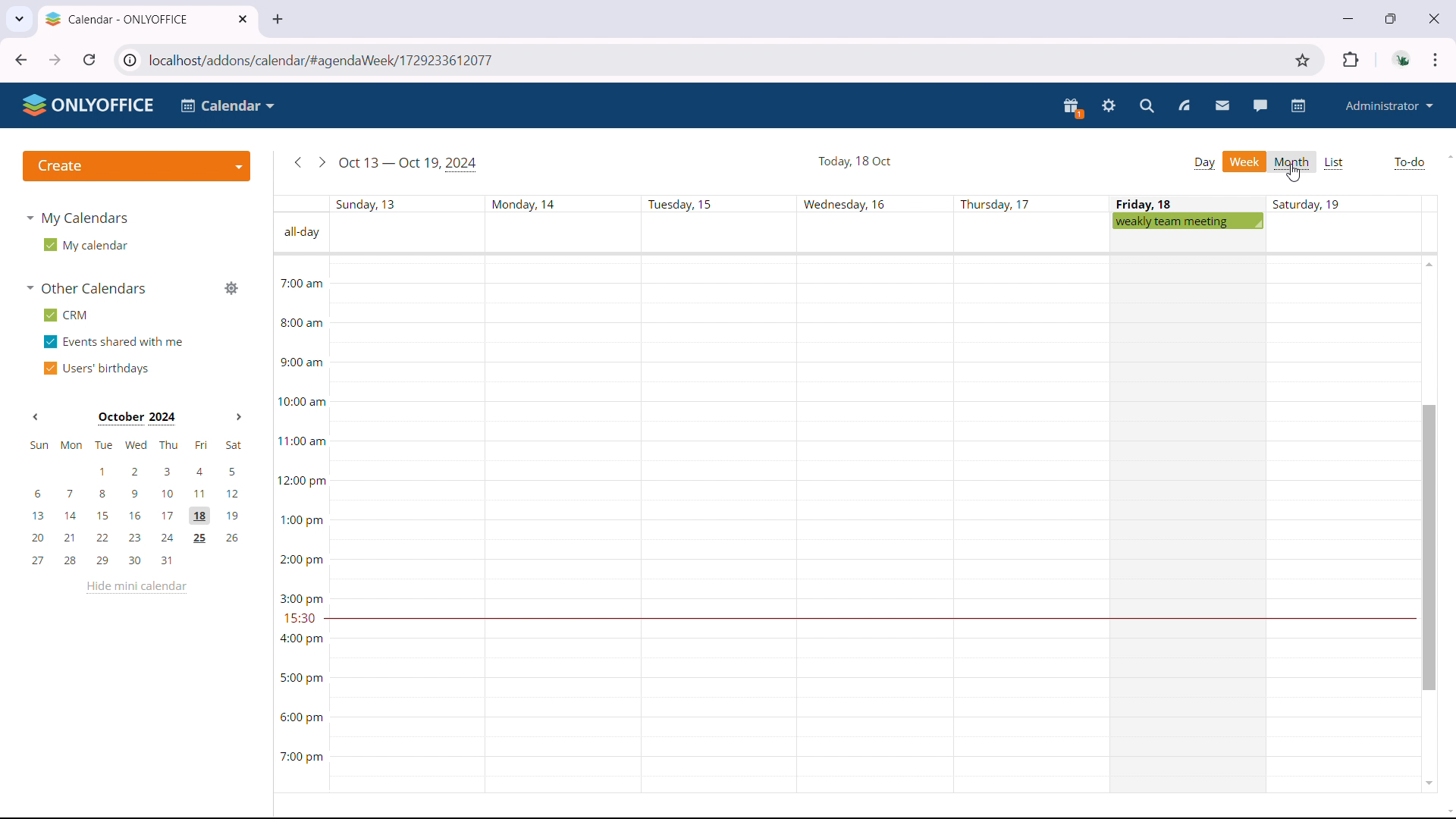  What do you see at coordinates (1294, 174) in the screenshot?
I see `cursor` at bounding box center [1294, 174].